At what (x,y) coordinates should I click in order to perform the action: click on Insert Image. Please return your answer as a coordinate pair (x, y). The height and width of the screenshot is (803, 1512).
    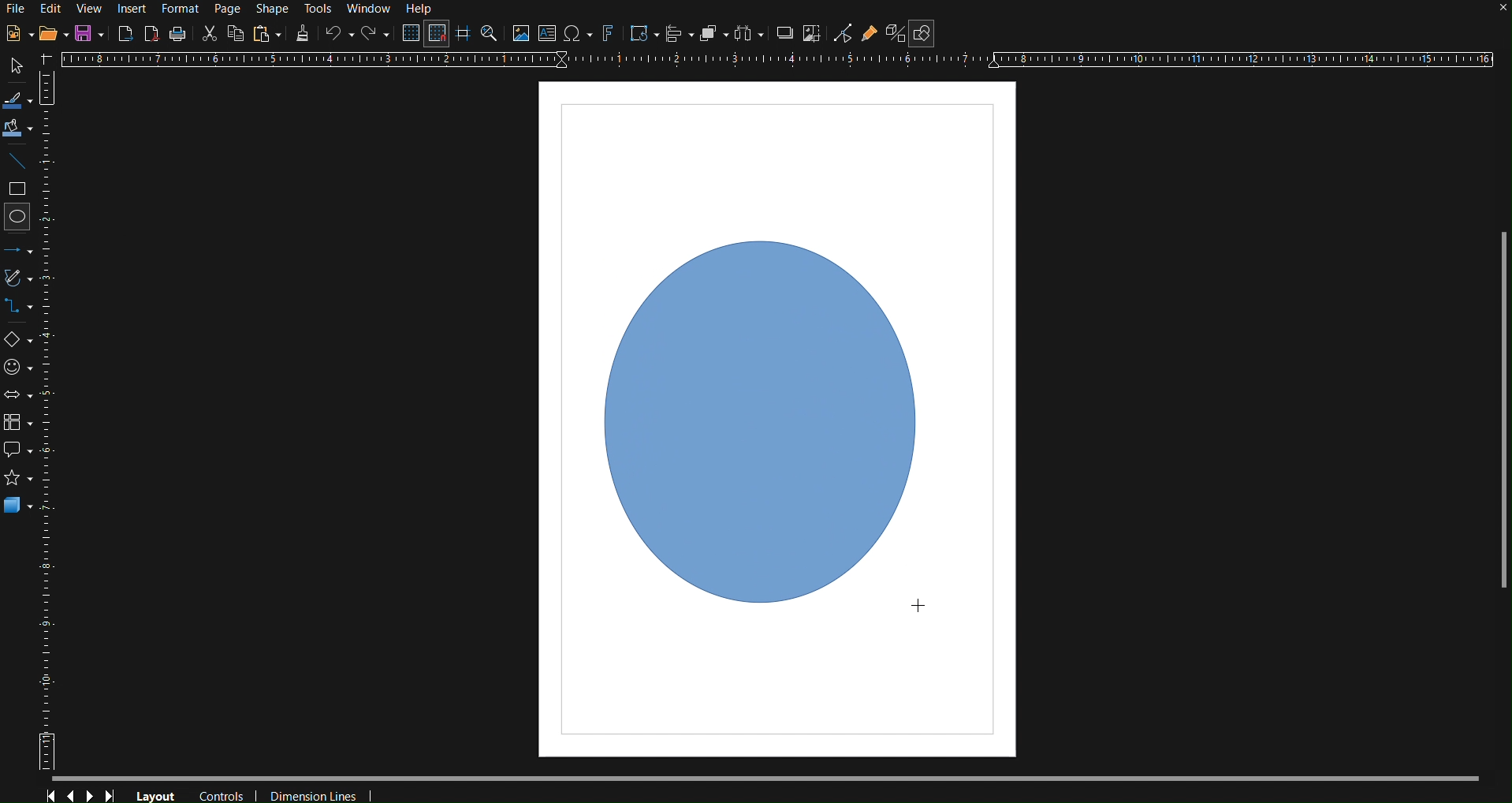
    Looking at the image, I should click on (520, 35).